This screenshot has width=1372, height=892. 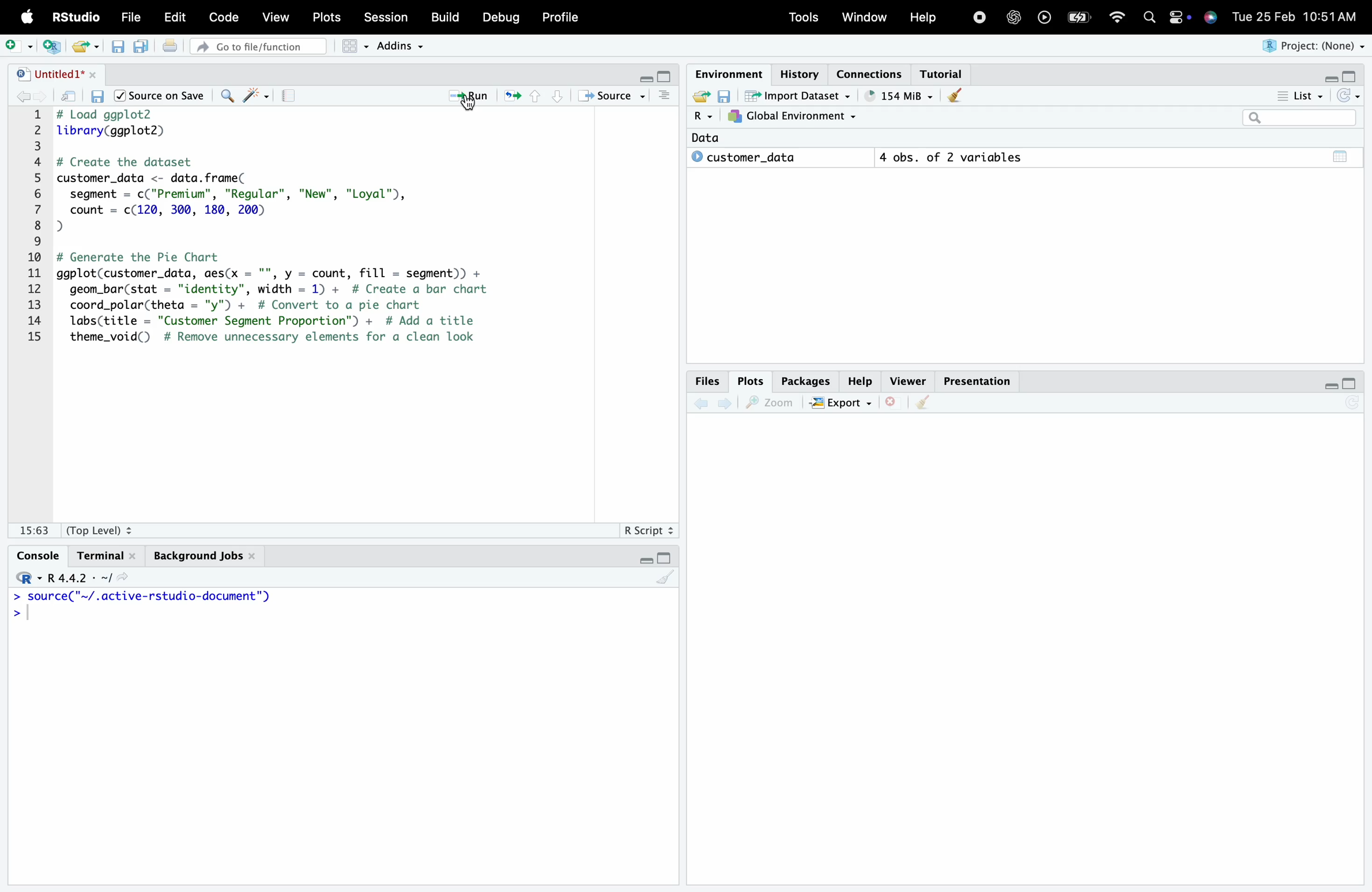 What do you see at coordinates (390, 17) in the screenshot?
I see `Session` at bounding box center [390, 17].